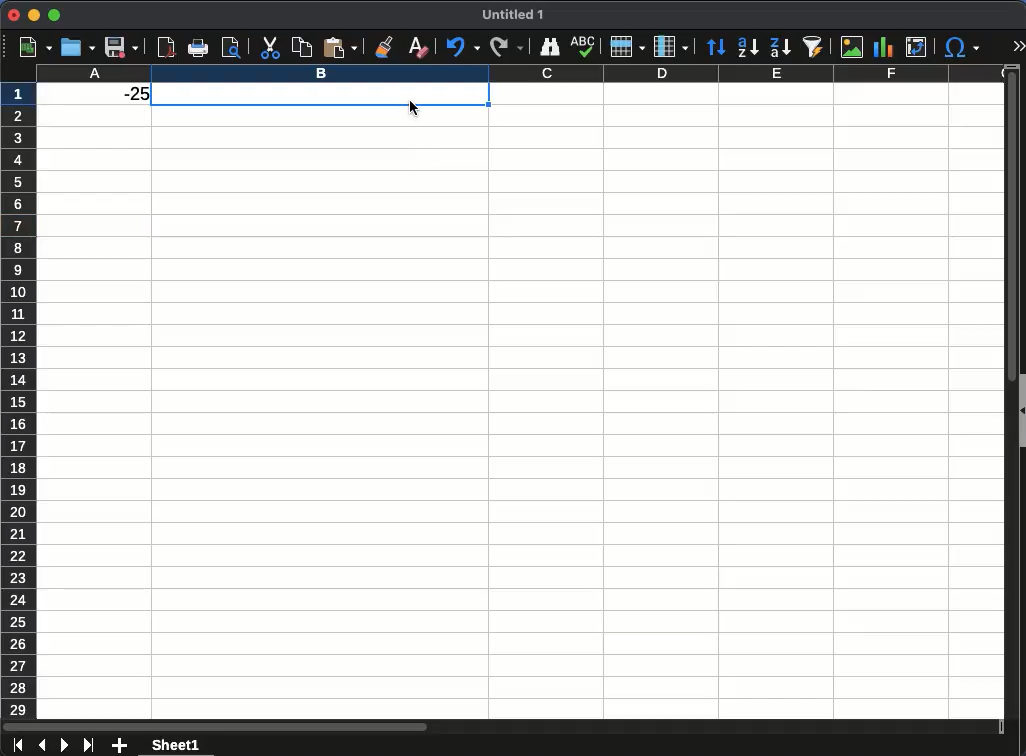 Image resolution: width=1026 pixels, height=756 pixels. What do you see at coordinates (19, 397) in the screenshot?
I see `rows` at bounding box center [19, 397].